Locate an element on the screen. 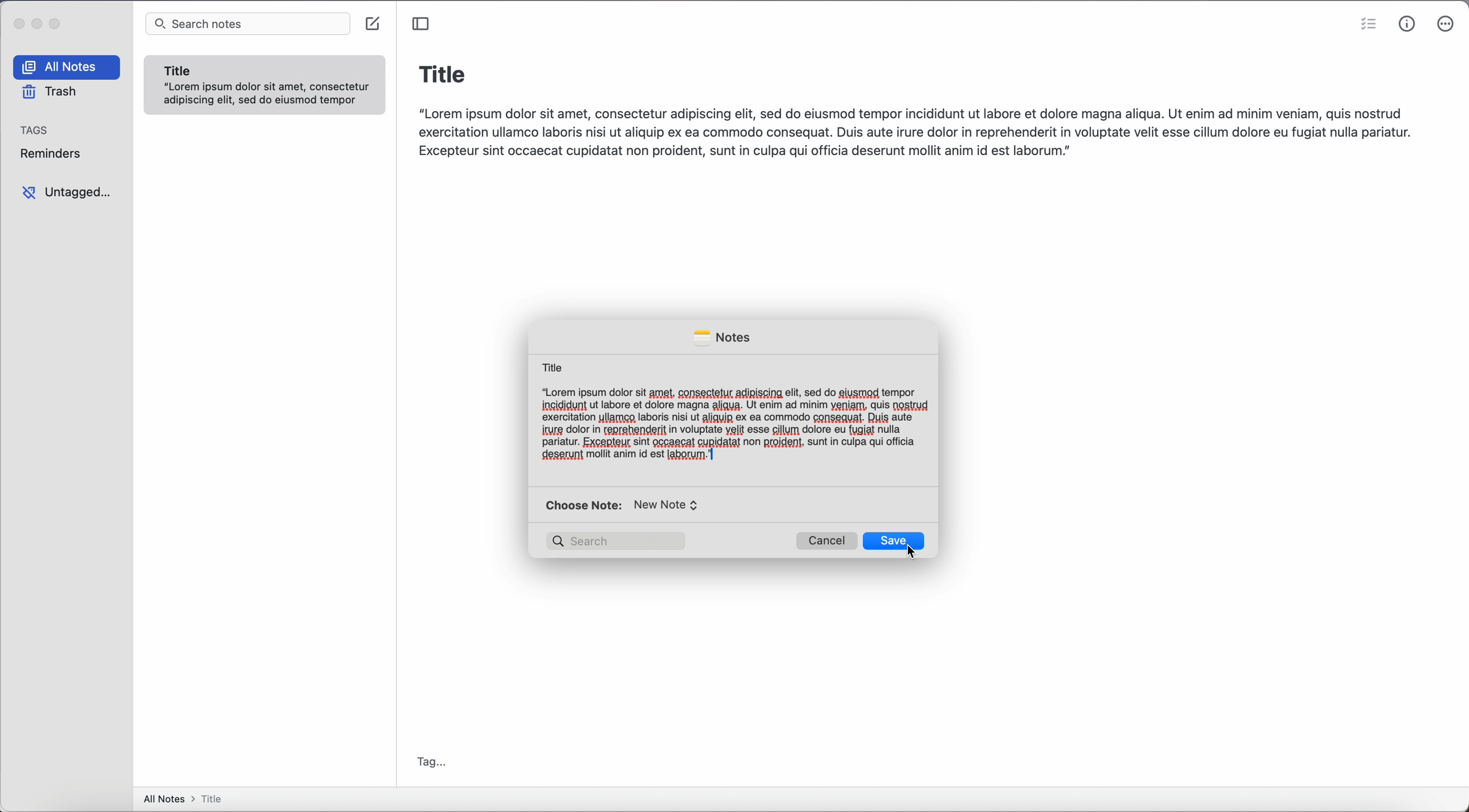 This screenshot has width=1469, height=812. cancel button is located at coordinates (827, 541).